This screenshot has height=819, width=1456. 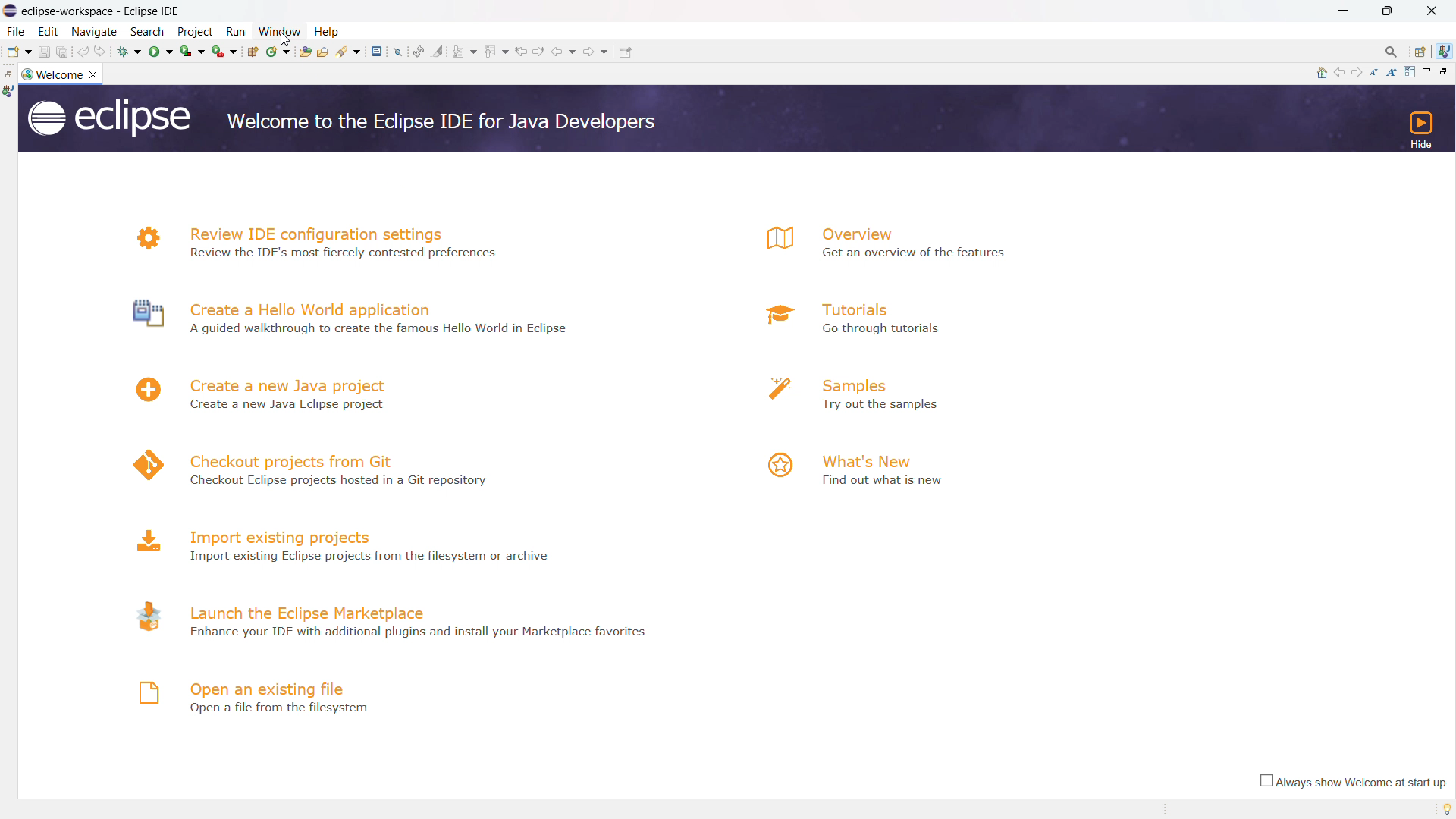 I want to click on Find out what is new, so click(x=884, y=480).